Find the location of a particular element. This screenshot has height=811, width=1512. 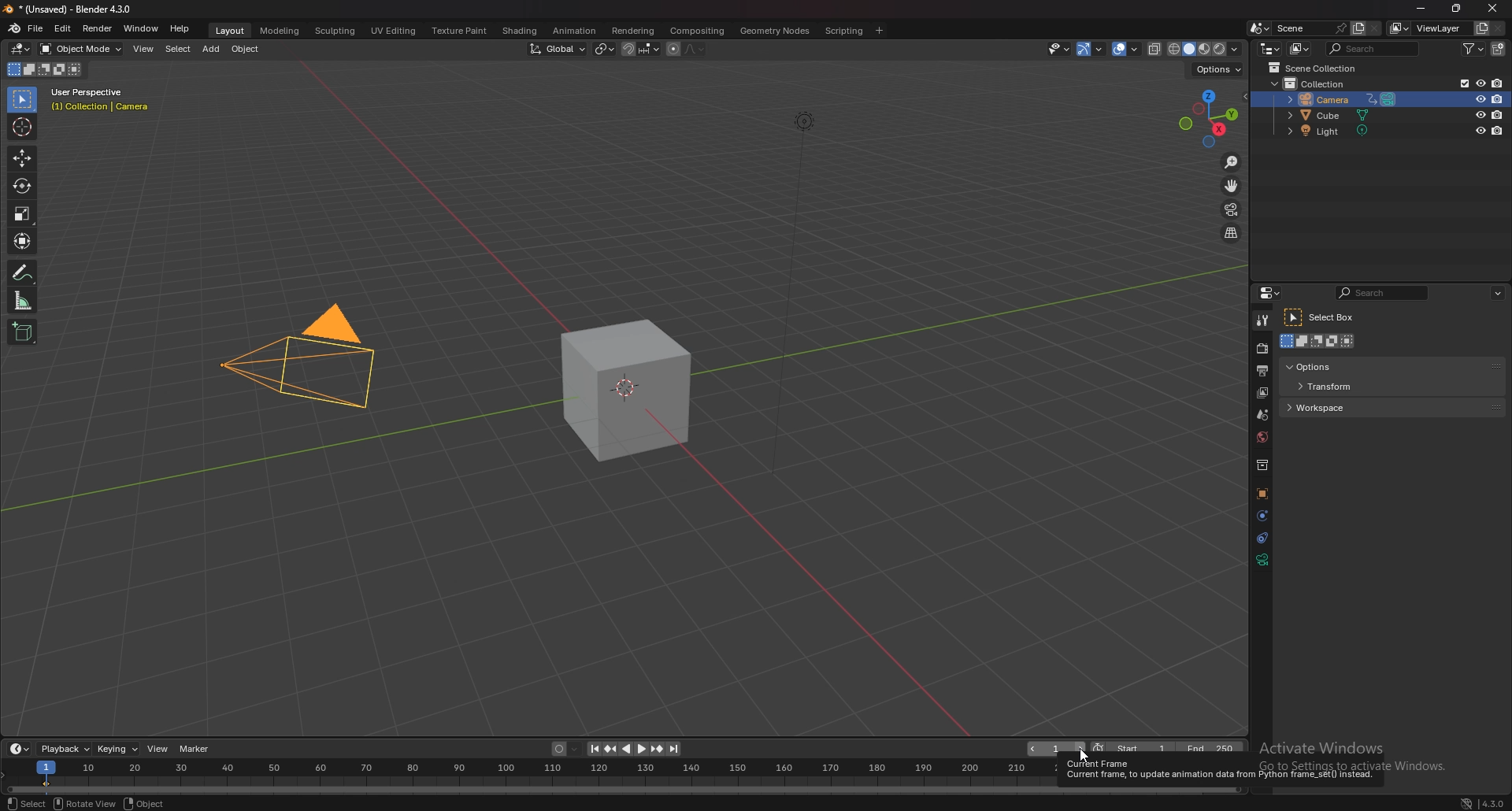

disable in renders is located at coordinates (1496, 99).